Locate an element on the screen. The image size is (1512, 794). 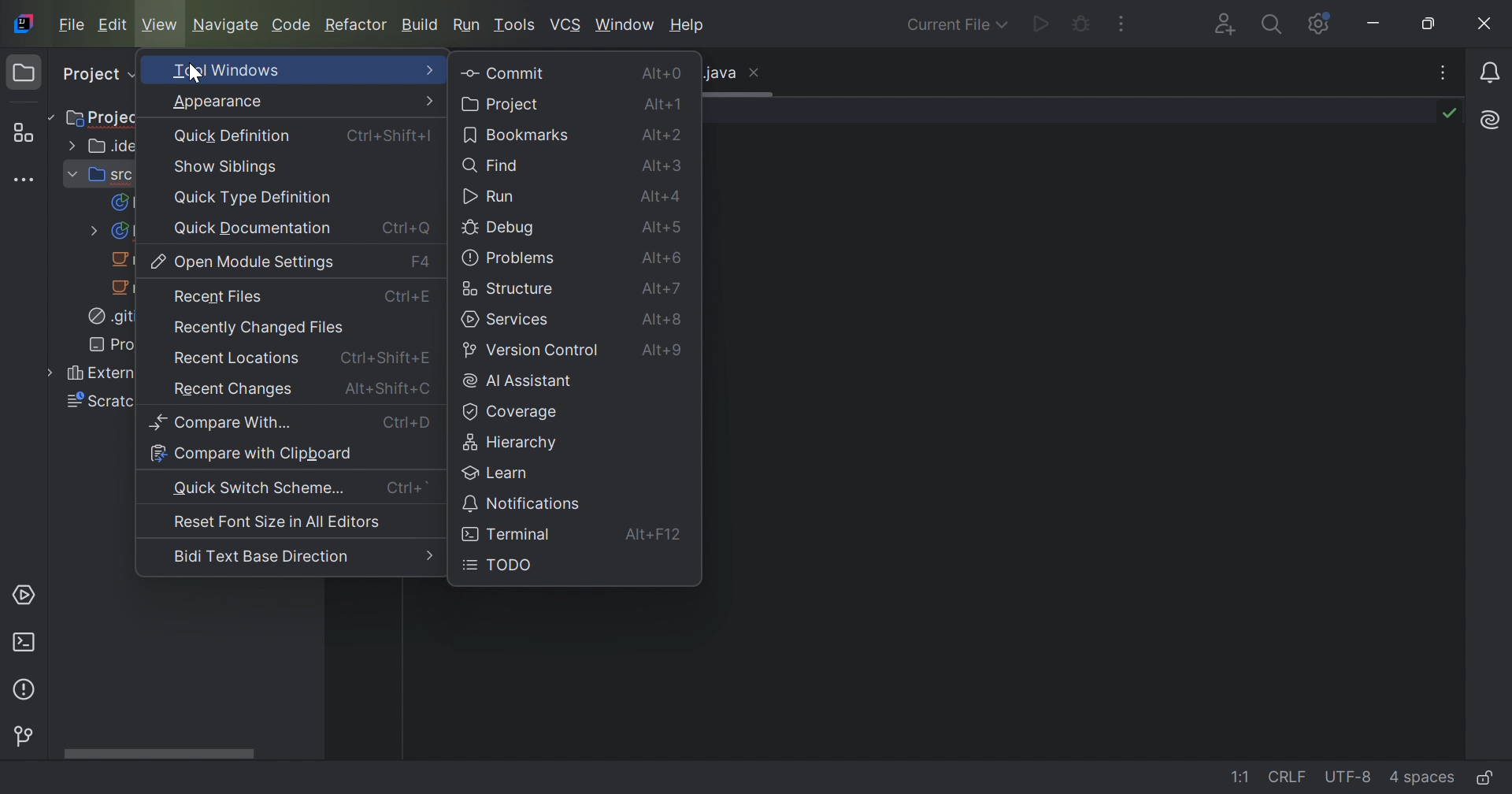
External Libraries is located at coordinates (91, 375).